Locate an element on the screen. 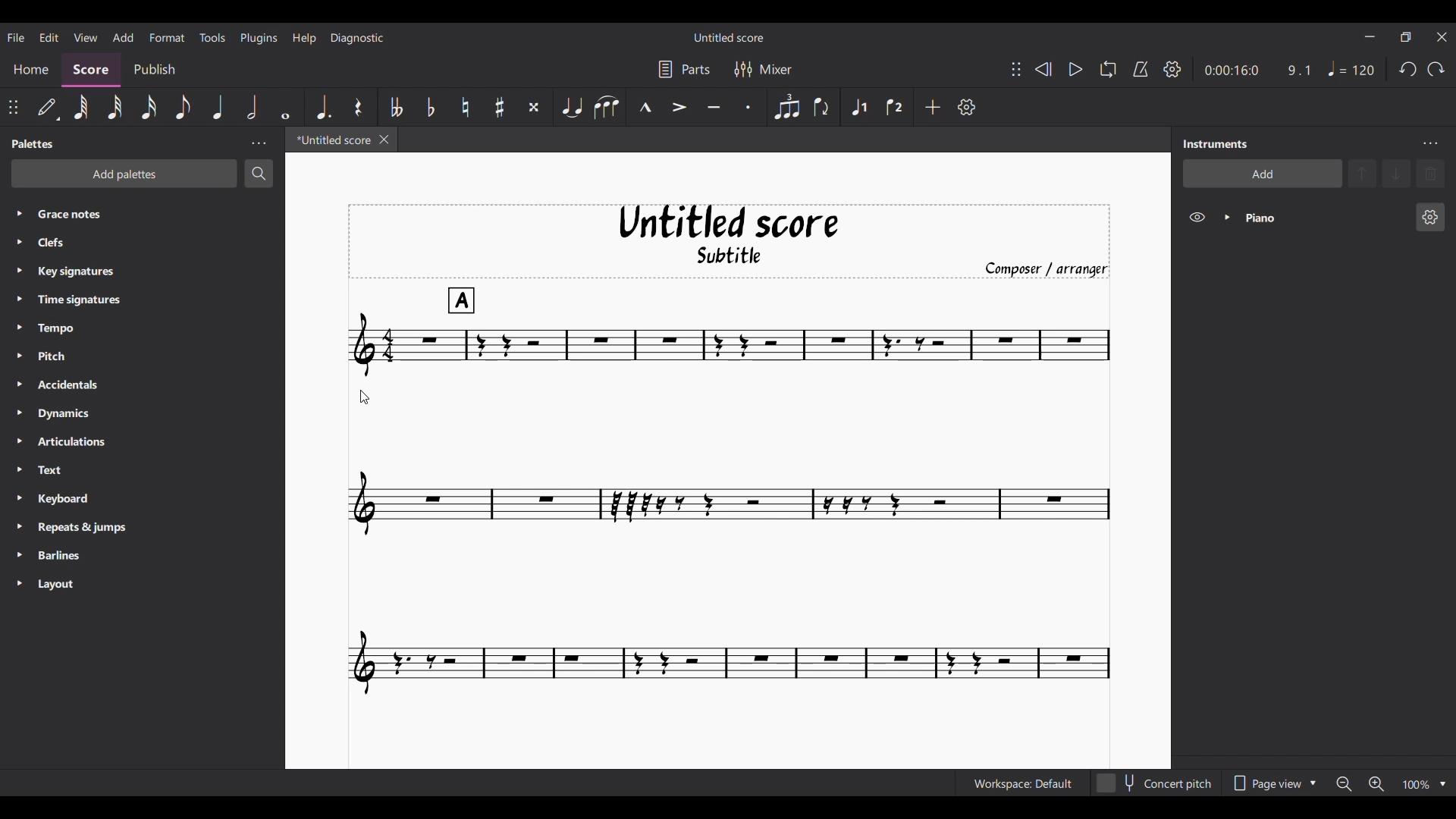 Image resolution: width=1456 pixels, height=819 pixels. Score section, current selection highlighted is located at coordinates (94, 68).